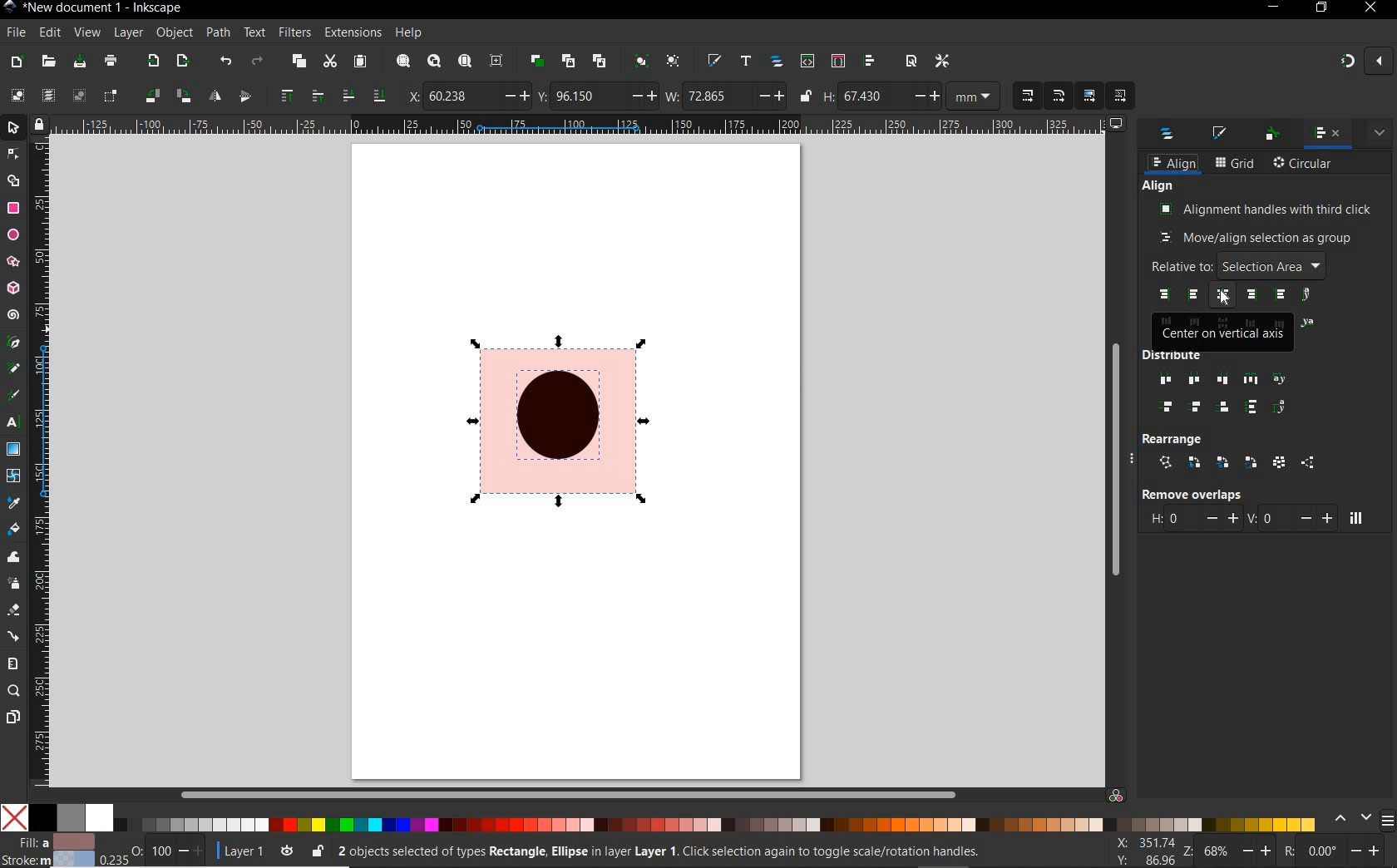 The height and width of the screenshot is (868, 1397). I want to click on layer, so click(129, 32).